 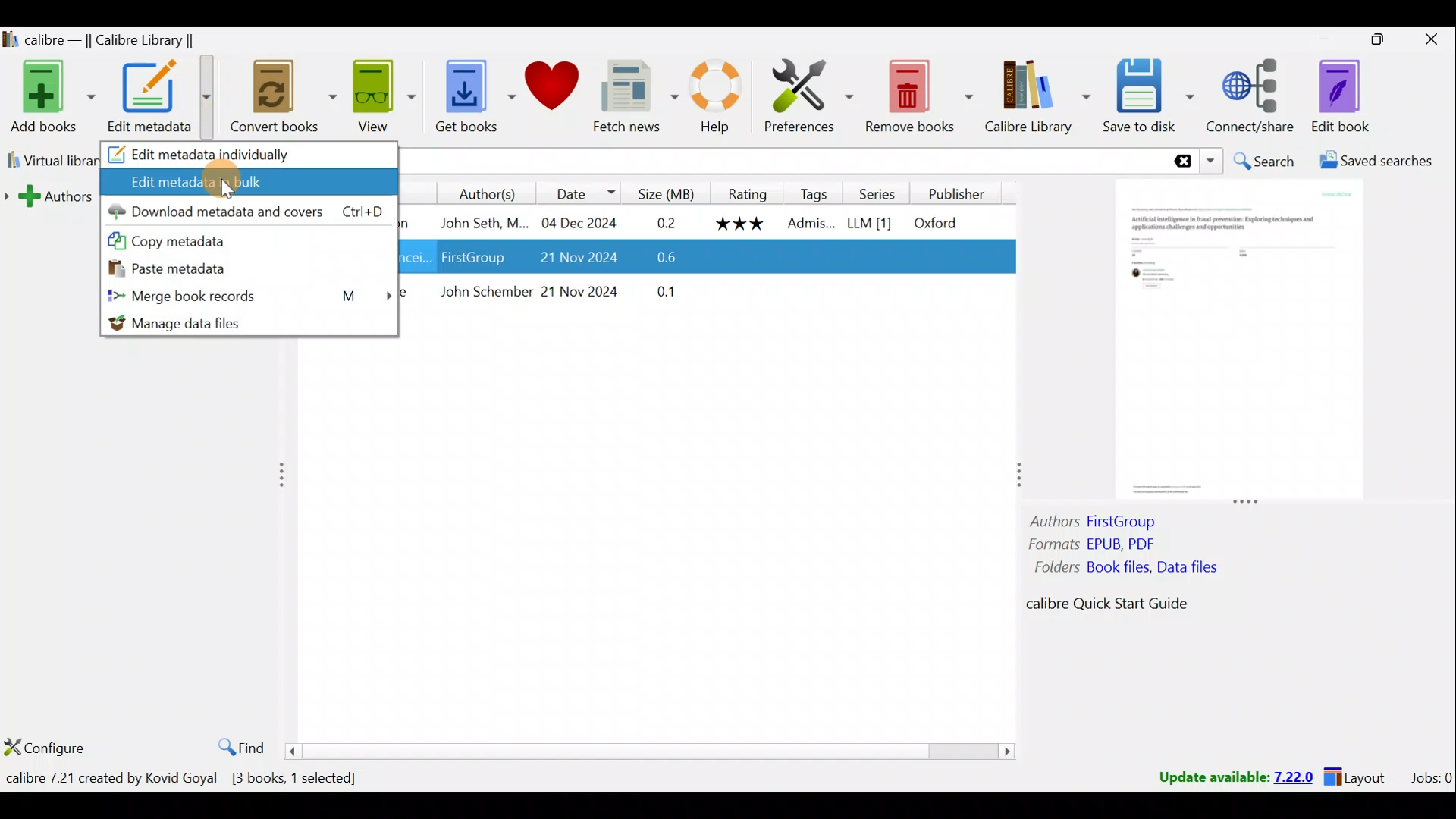 I want to click on Book 2, so click(x=702, y=255).